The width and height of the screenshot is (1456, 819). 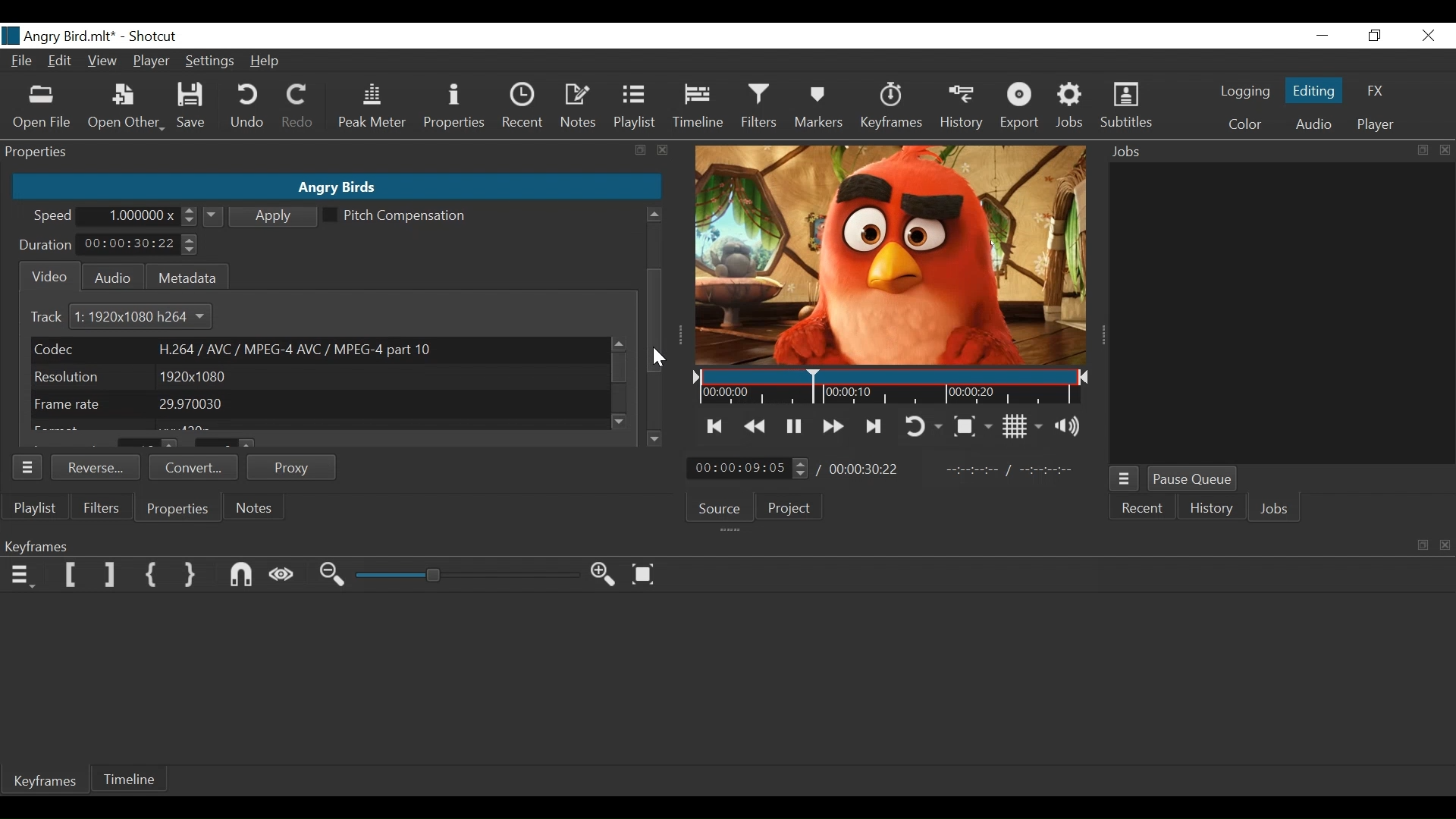 What do you see at coordinates (1375, 36) in the screenshot?
I see `Restore` at bounding box center [1375, 36].